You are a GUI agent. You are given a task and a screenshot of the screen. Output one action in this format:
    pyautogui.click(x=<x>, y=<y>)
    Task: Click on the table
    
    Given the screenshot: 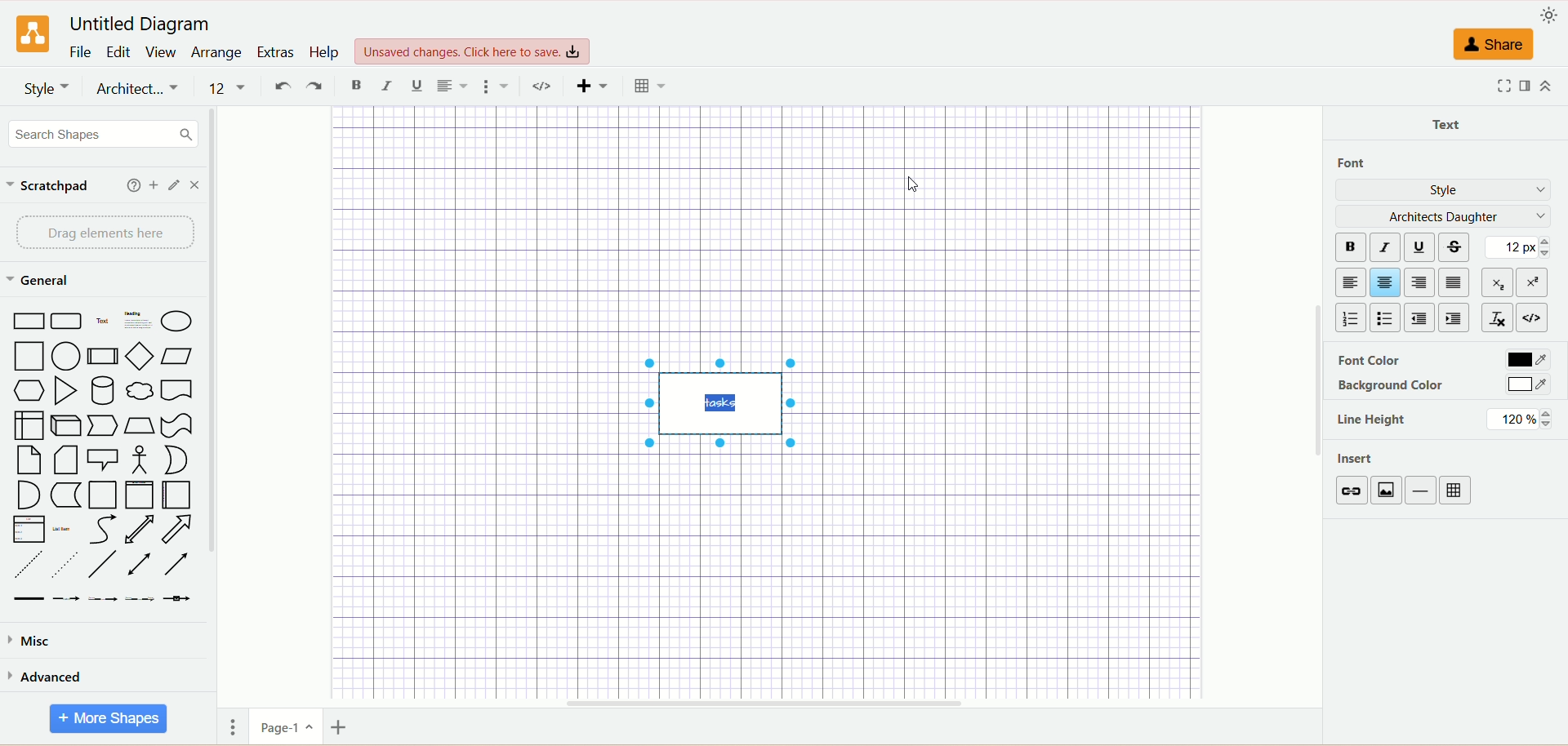 What is the action you would take?
    pyautogui.click(x=1456, y=491)
    